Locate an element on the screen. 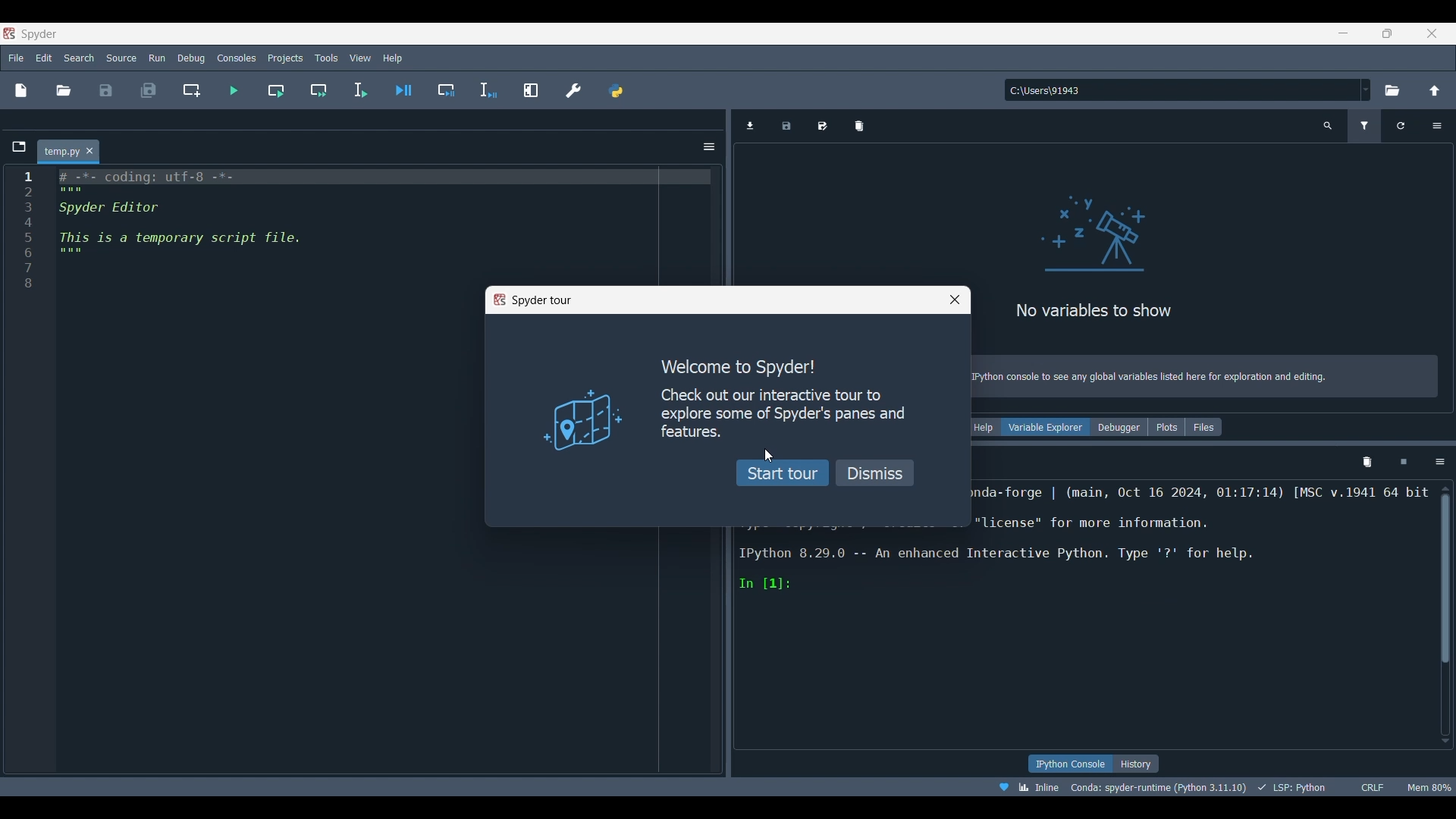  move down is located at coordinates (1445, 736).